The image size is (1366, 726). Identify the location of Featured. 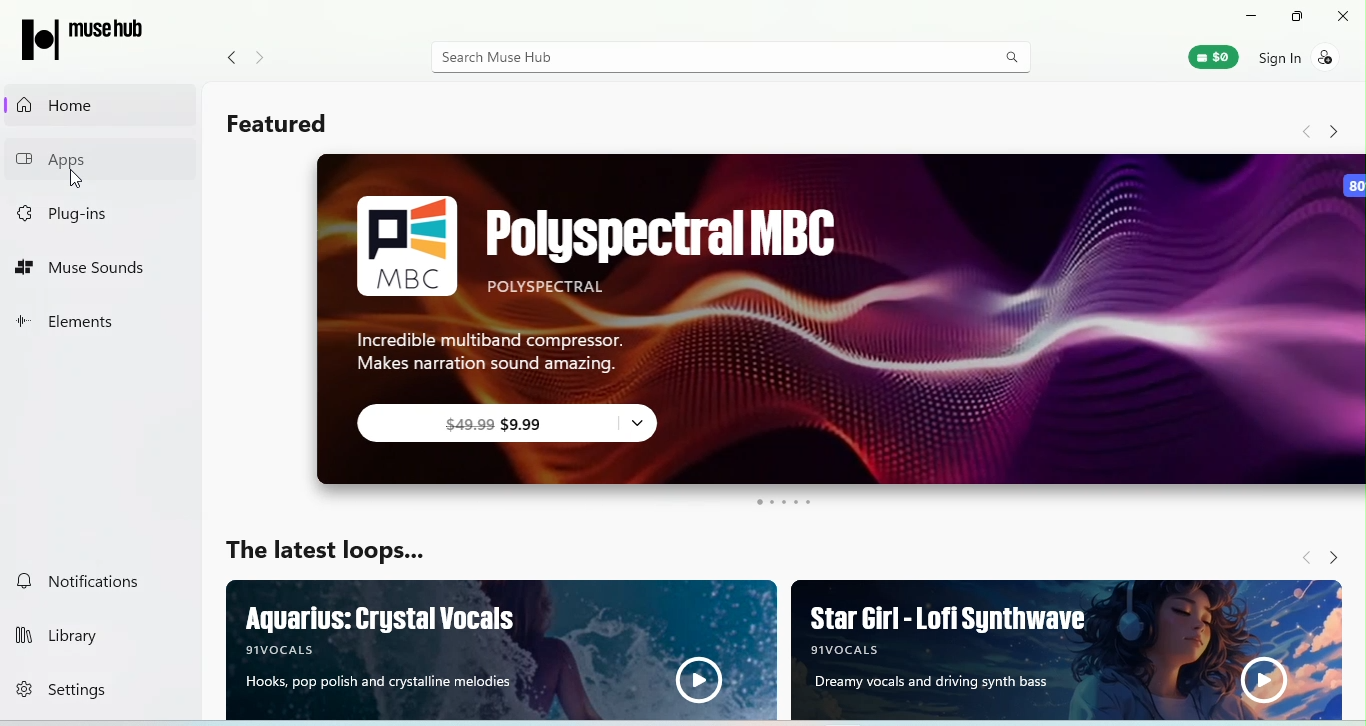
(295, 129).